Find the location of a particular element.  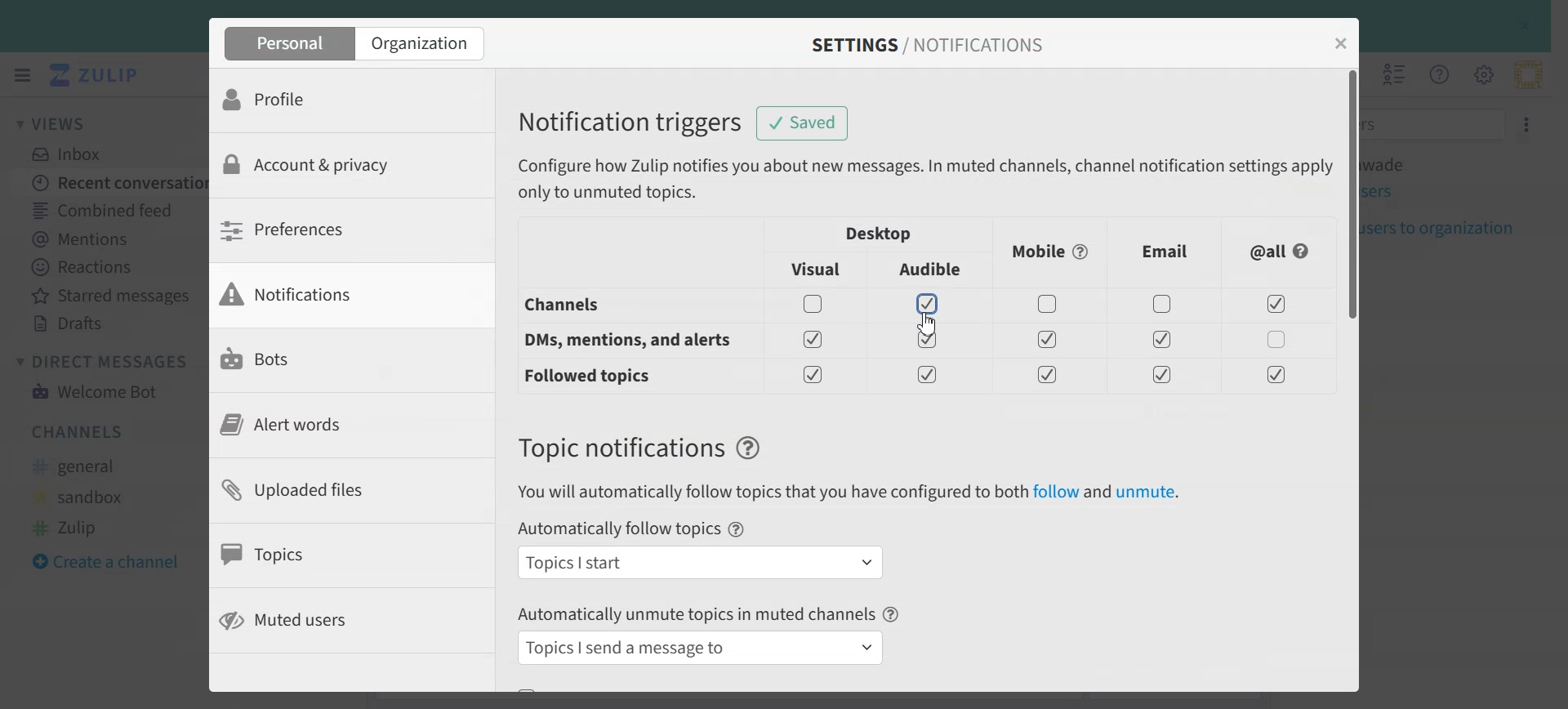

Mentions is located at coordinates (107, 237).